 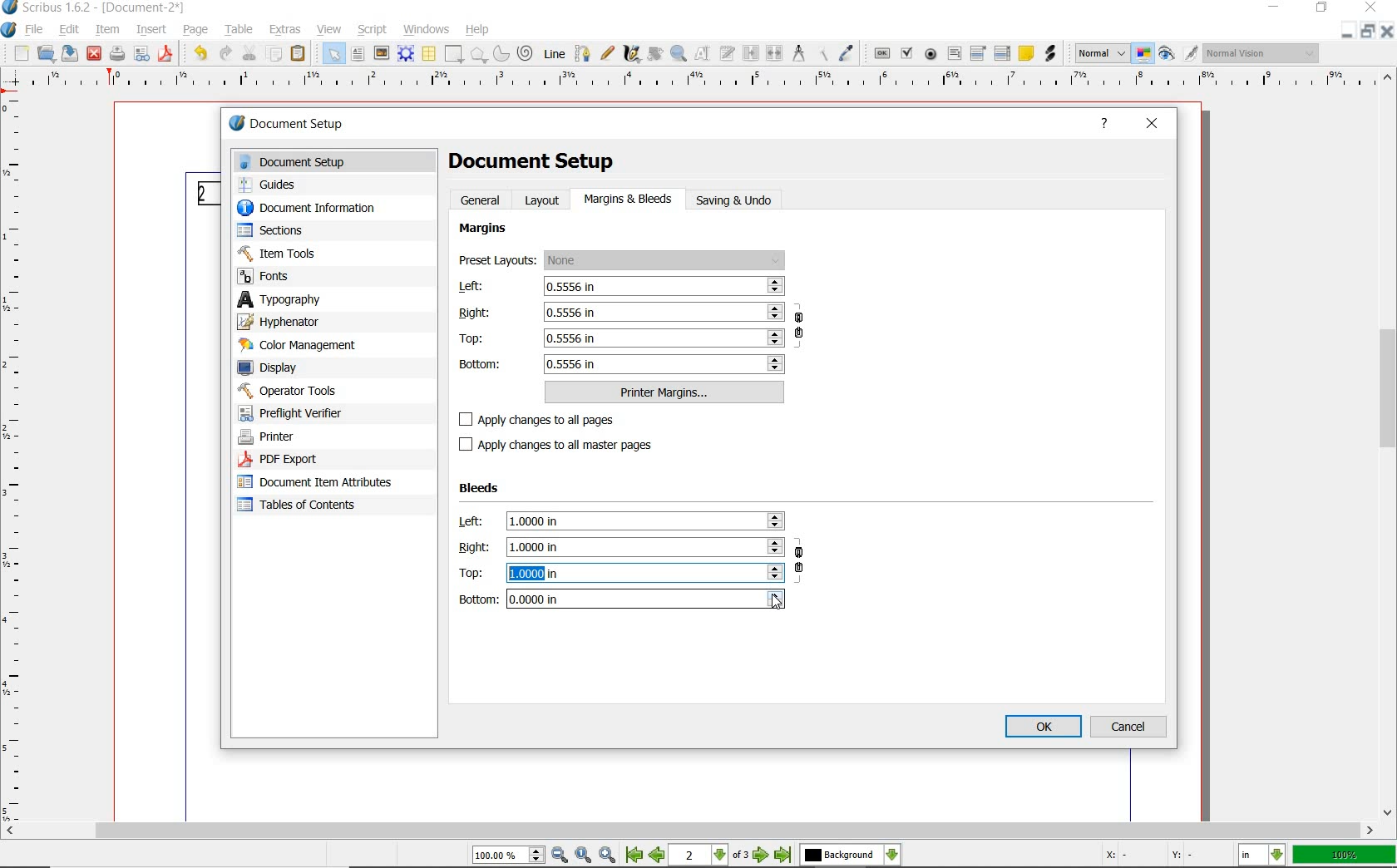 I want to click on pdf export, so click(x=298, y=460).